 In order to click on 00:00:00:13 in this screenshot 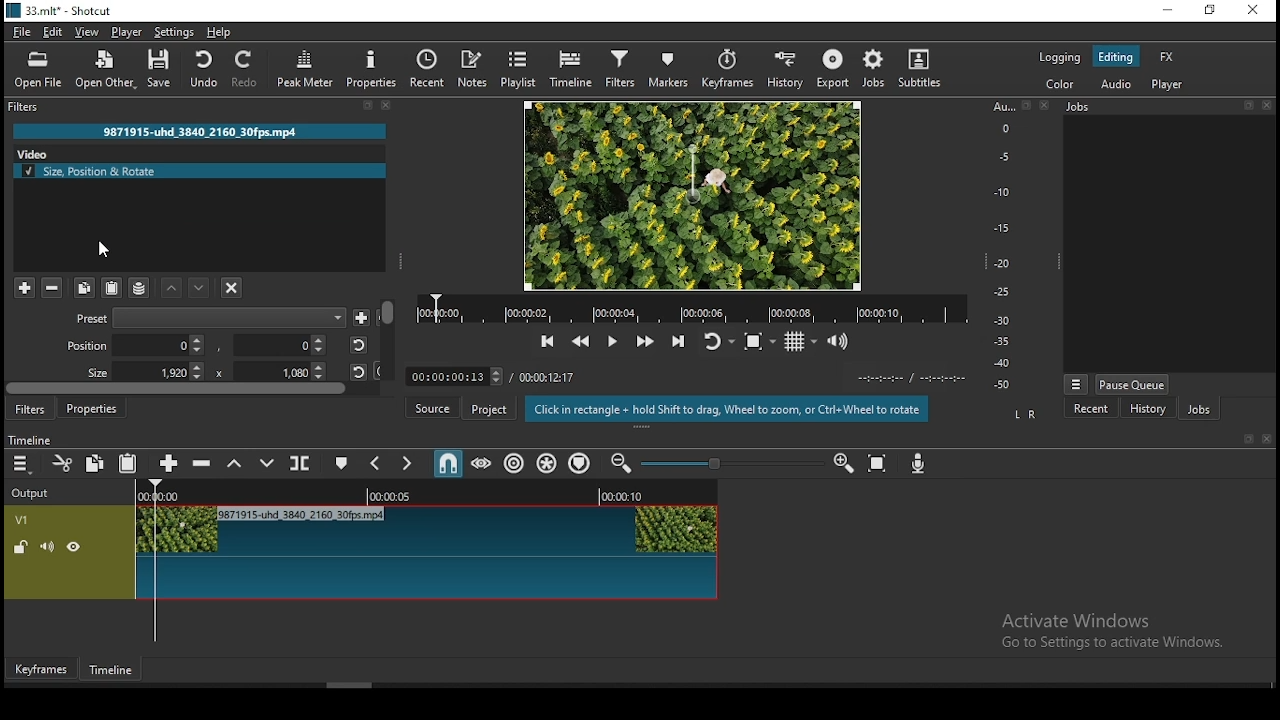, I will do `click(447, 375)`.